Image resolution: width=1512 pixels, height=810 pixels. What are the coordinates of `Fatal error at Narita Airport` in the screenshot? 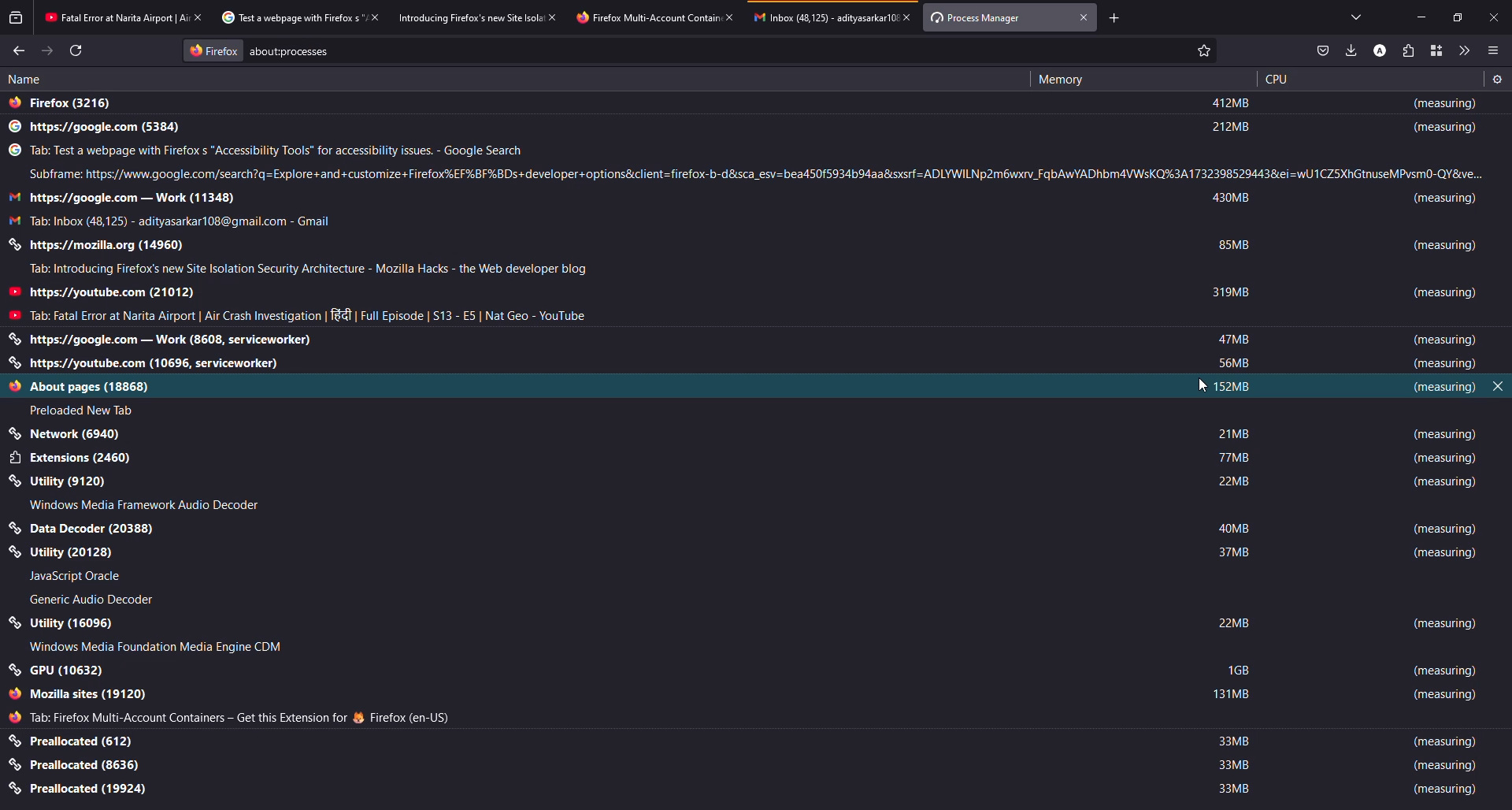 It's located at (107, 18).